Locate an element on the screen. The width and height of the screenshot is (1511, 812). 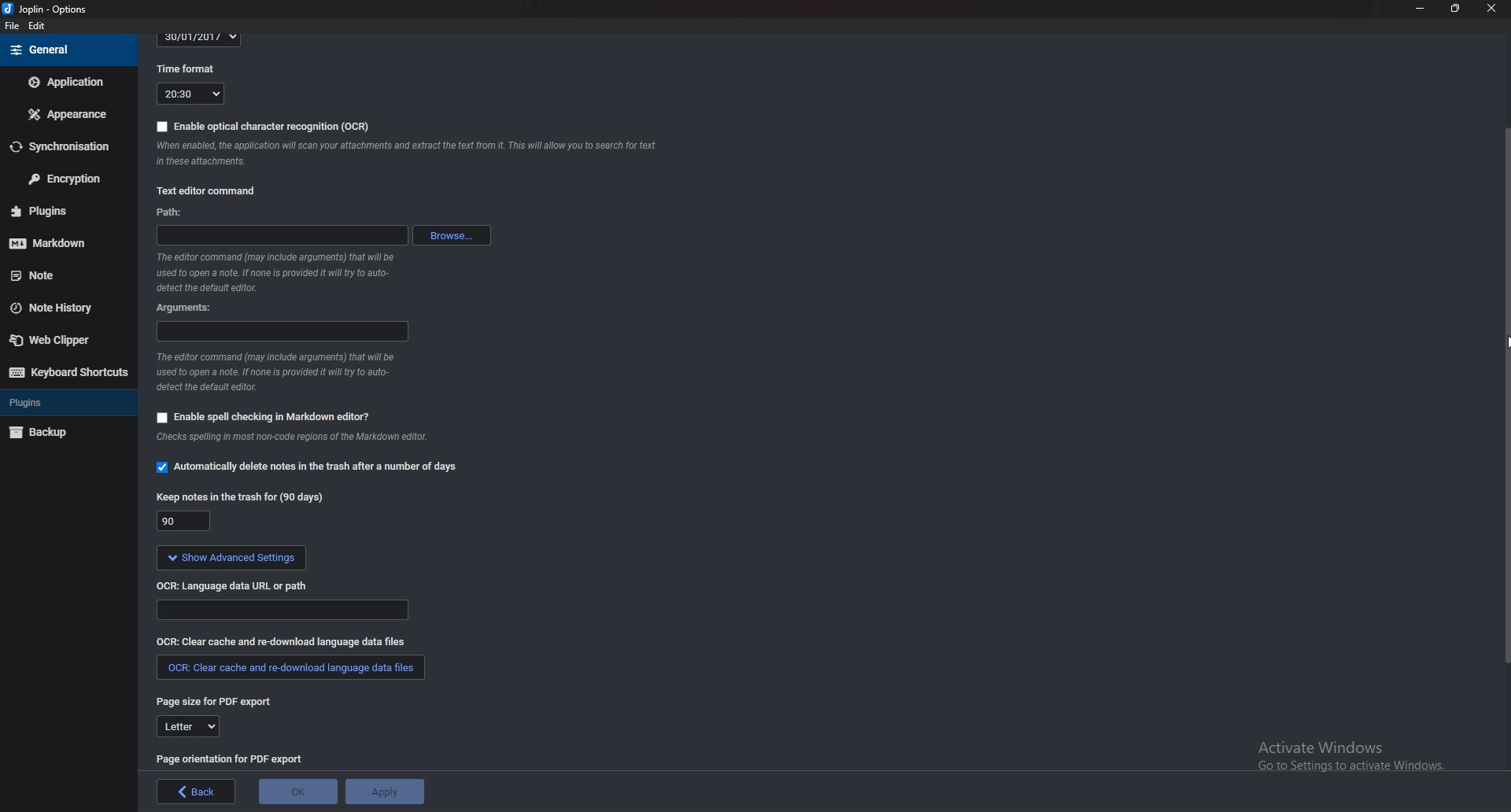
note is located at coordinates (59, 276).